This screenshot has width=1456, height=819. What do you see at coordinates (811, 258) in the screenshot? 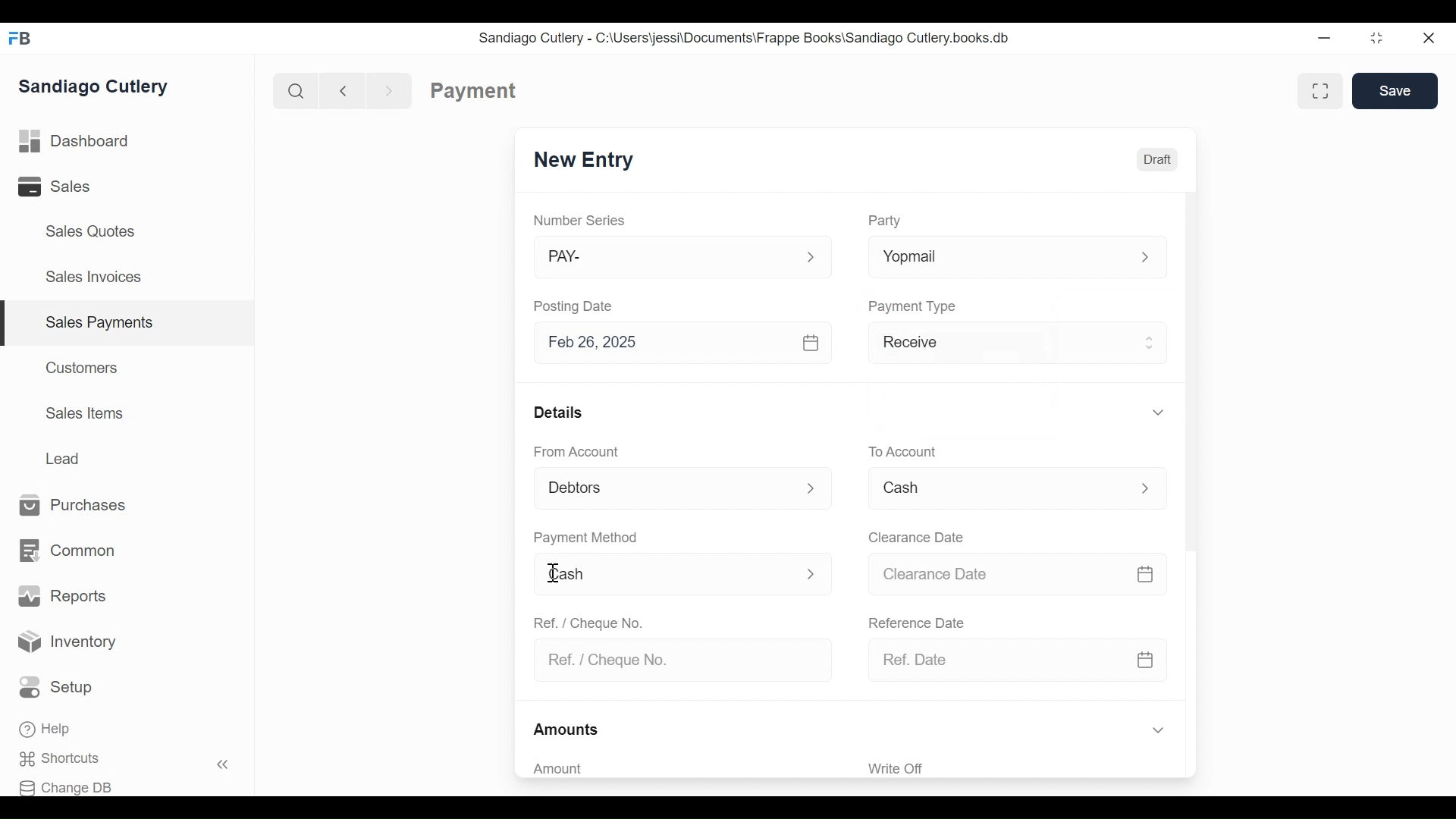
I see `Expand` at bounding box center [811, 258].